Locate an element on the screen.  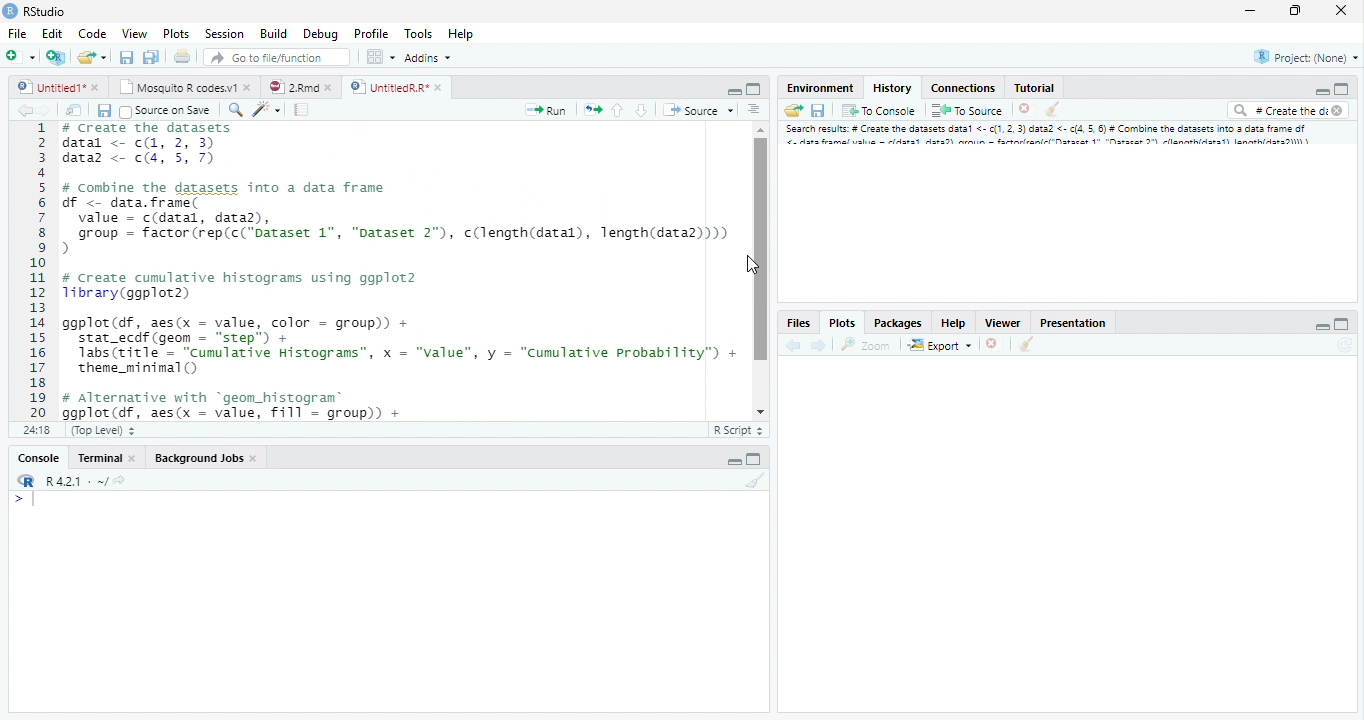
Plots is located at coordinates (176, 35).